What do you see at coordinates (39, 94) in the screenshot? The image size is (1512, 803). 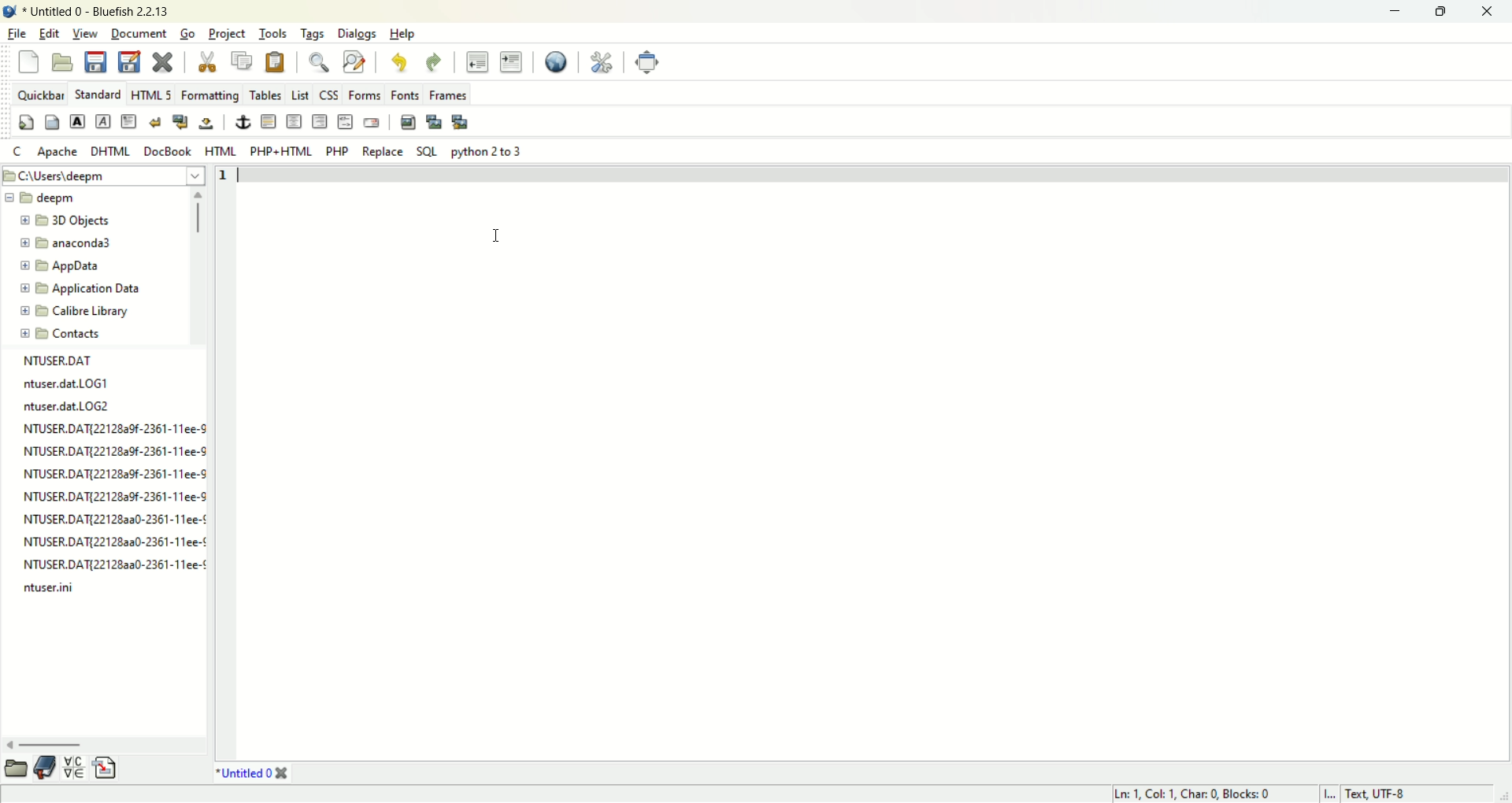 I see `quickbar` at bounding box center [39, 94].